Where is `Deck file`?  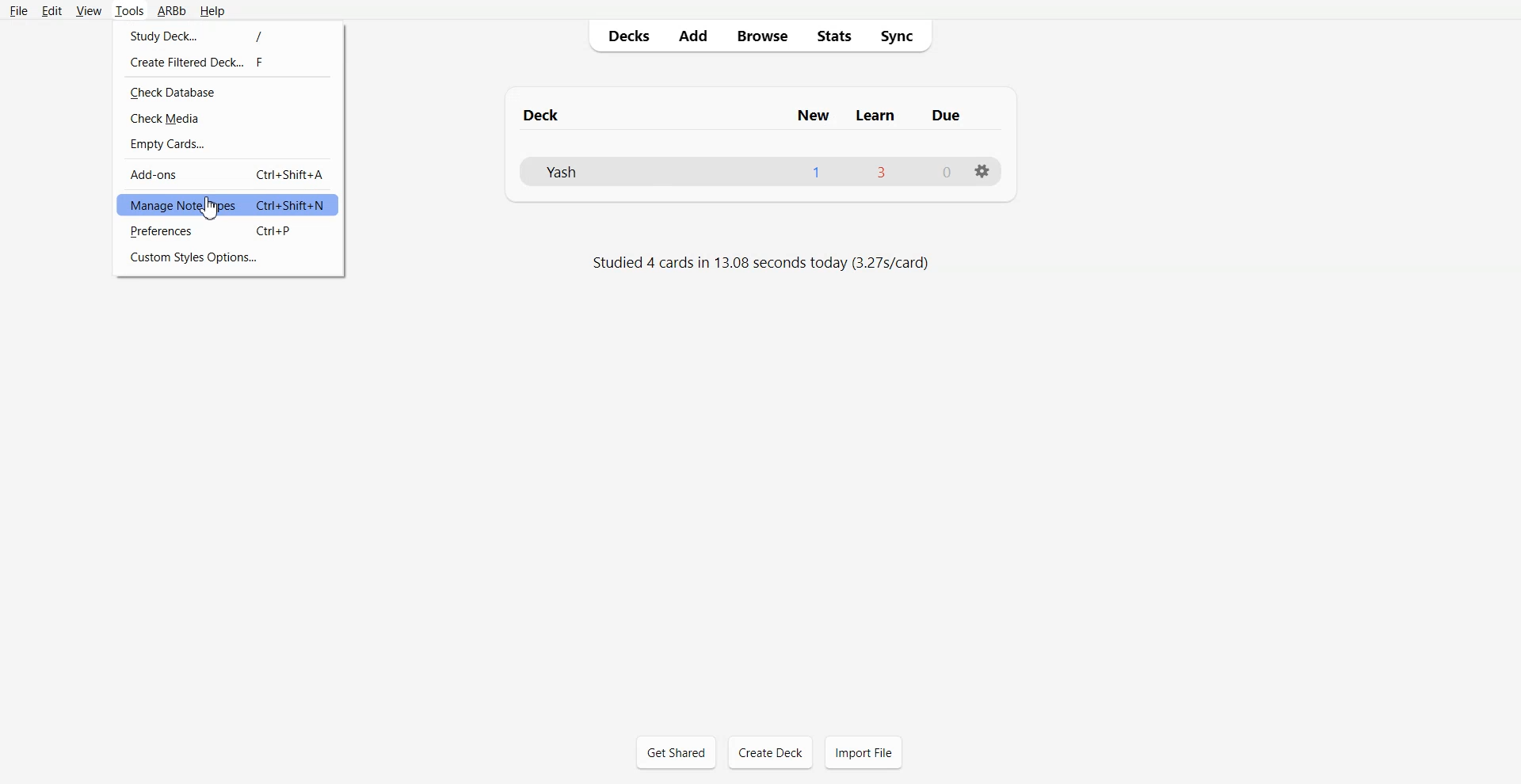 Deck file is located at coordinates (759, 171).